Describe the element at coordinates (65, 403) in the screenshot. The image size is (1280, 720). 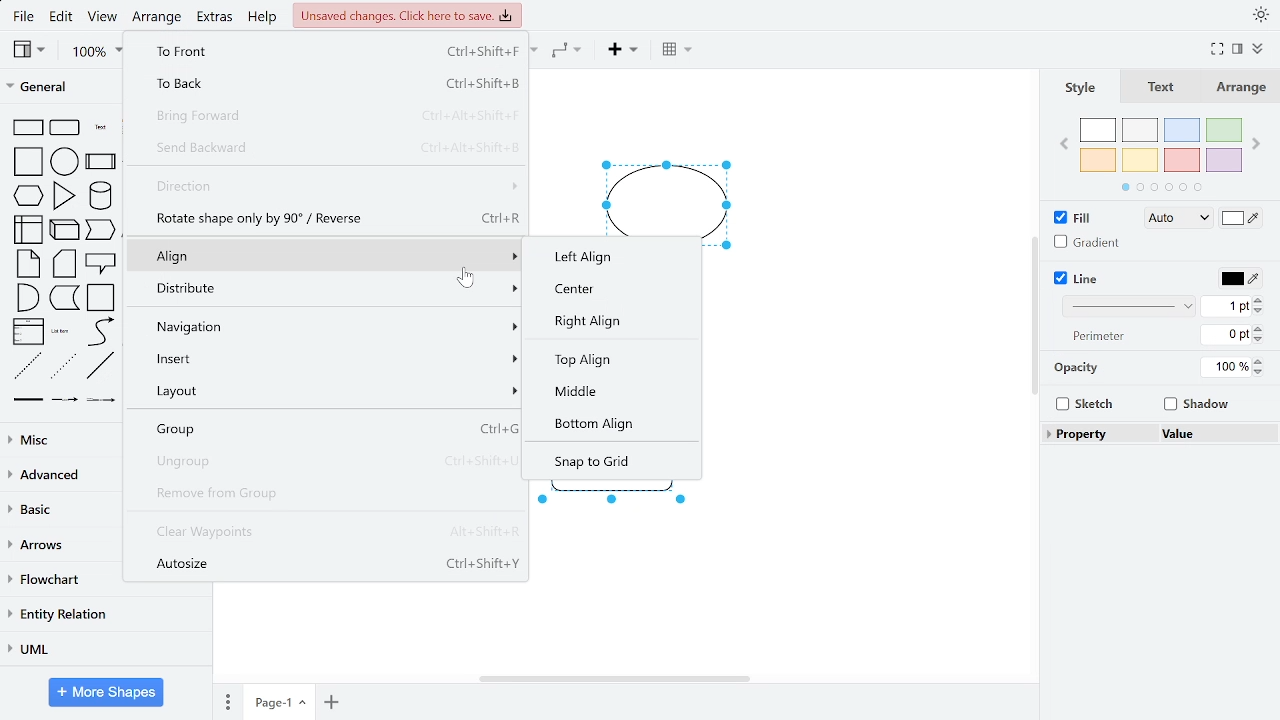
I see `Connector with label` at that location.